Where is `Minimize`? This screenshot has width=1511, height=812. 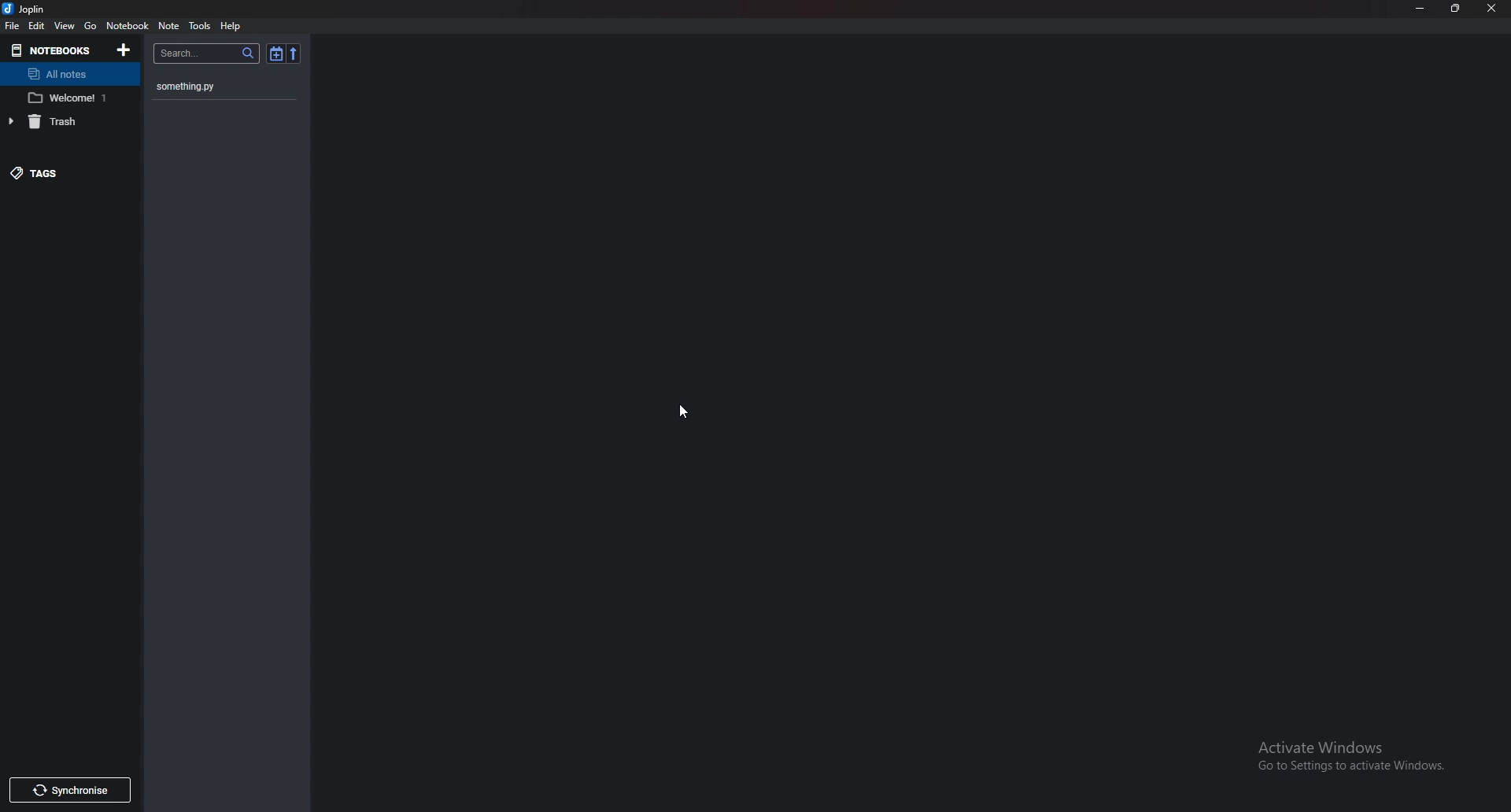 Minimize is located at coordinates (1421, 9).